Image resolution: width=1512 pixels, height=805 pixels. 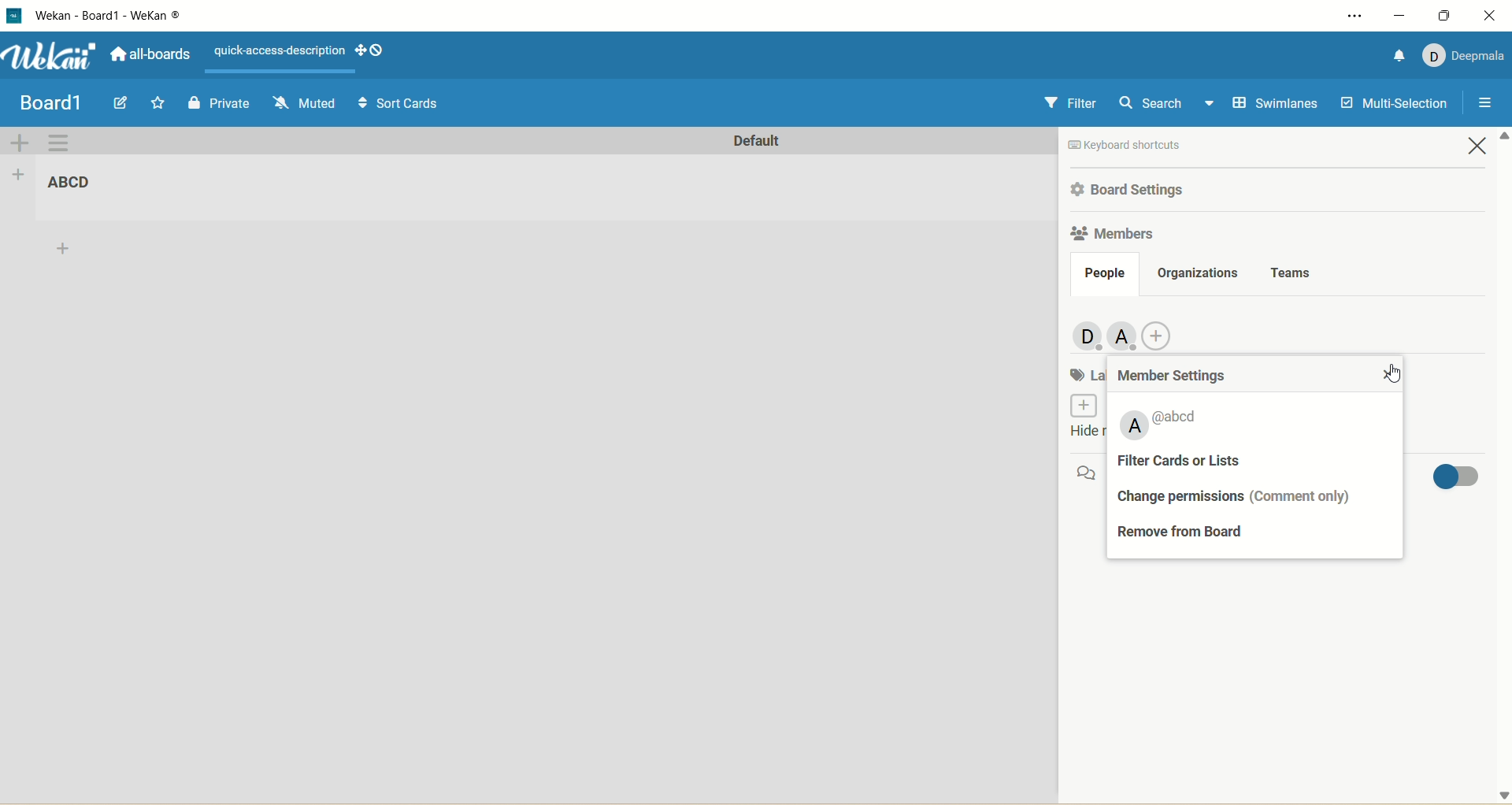 I want to click on members, so click(x=1084, y=334).